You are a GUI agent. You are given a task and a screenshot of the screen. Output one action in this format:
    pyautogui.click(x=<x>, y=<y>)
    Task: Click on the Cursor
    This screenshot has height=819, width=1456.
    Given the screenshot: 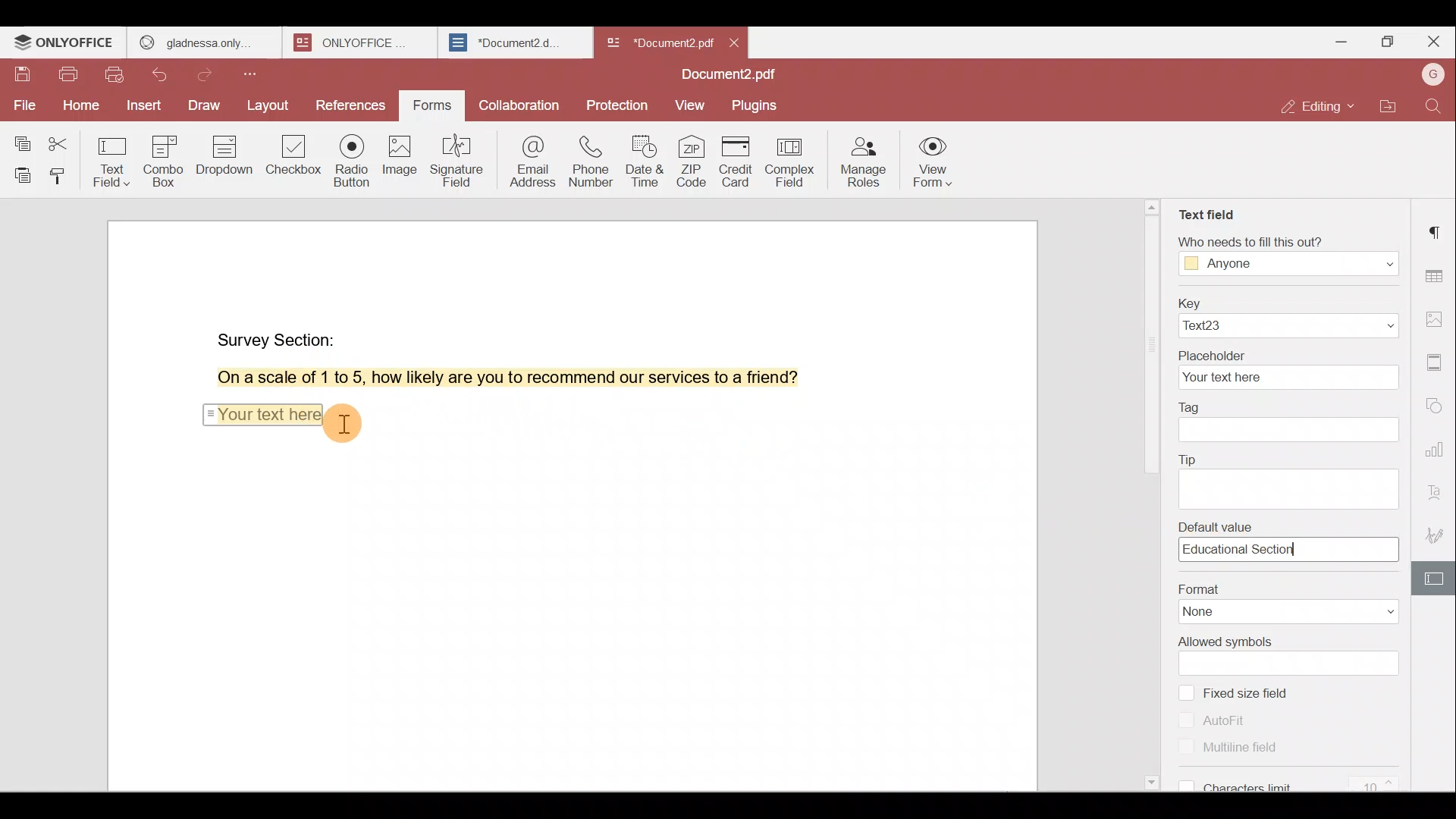 What is the action you would take?
    pyautogui.click(x=345, y=421)
    